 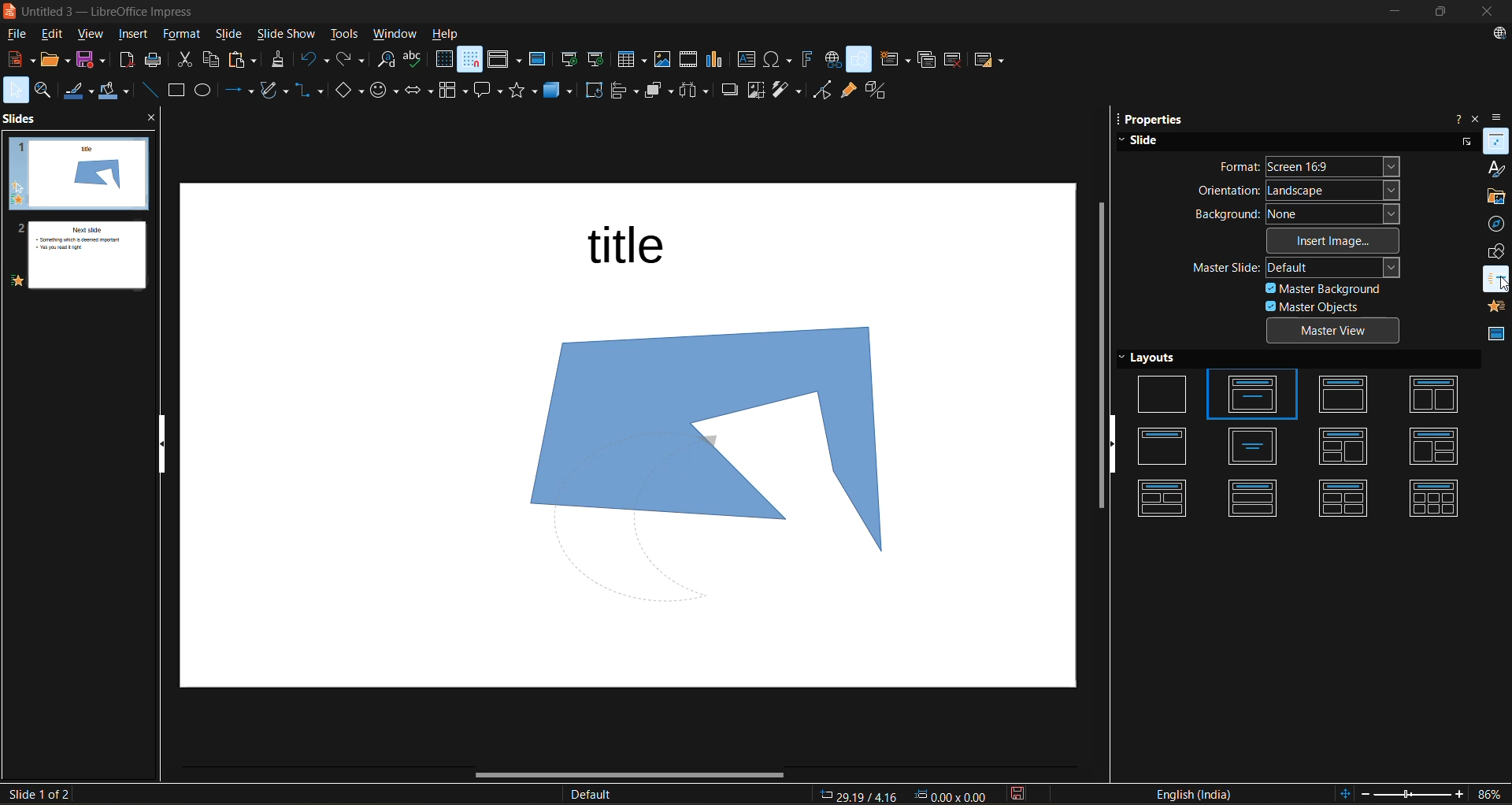 What do you see at coordinates (780, 61) in the screenshot?
I see `insert special characters` at bounding box center [780, 61].